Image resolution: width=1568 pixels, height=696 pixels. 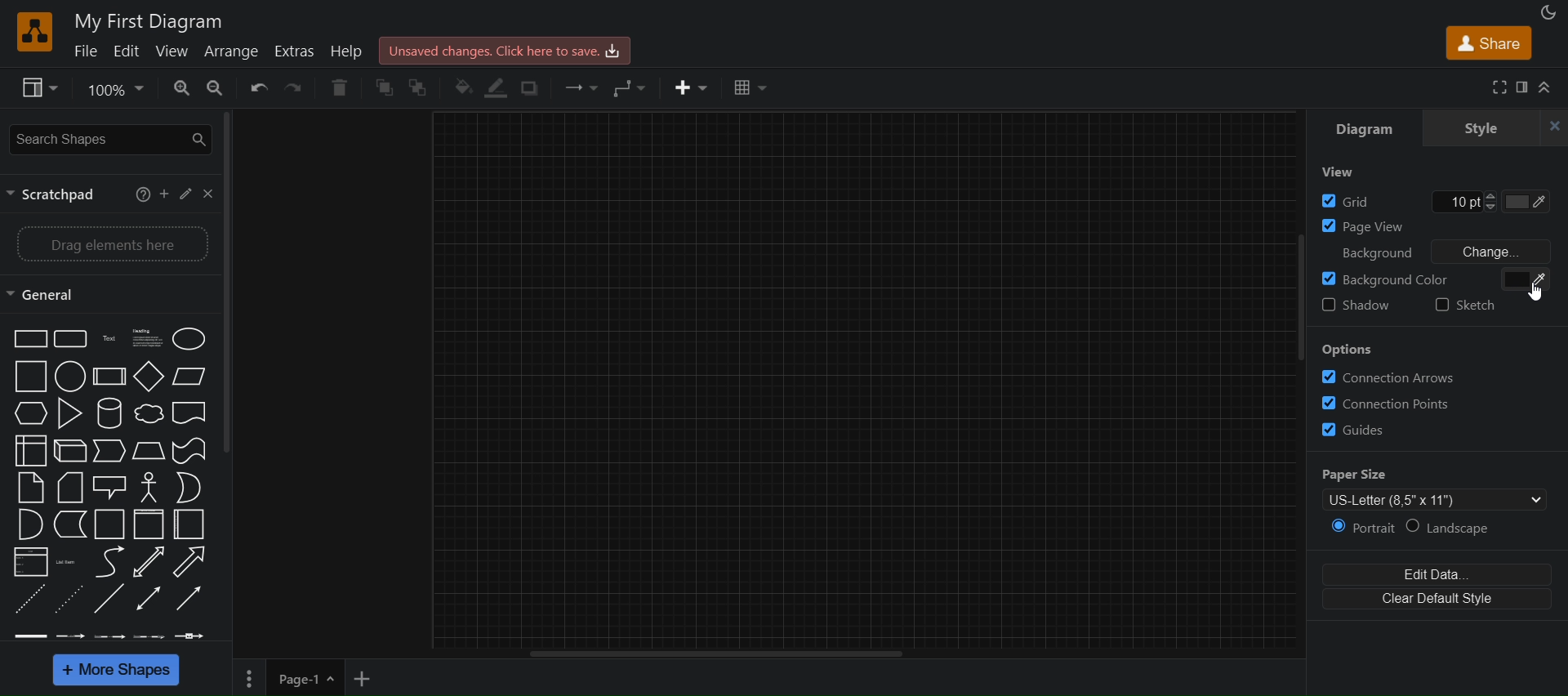 What do you see at coordinates (258, 88) in the screenshot?
I see `undo` at bounding box center [258, 88].